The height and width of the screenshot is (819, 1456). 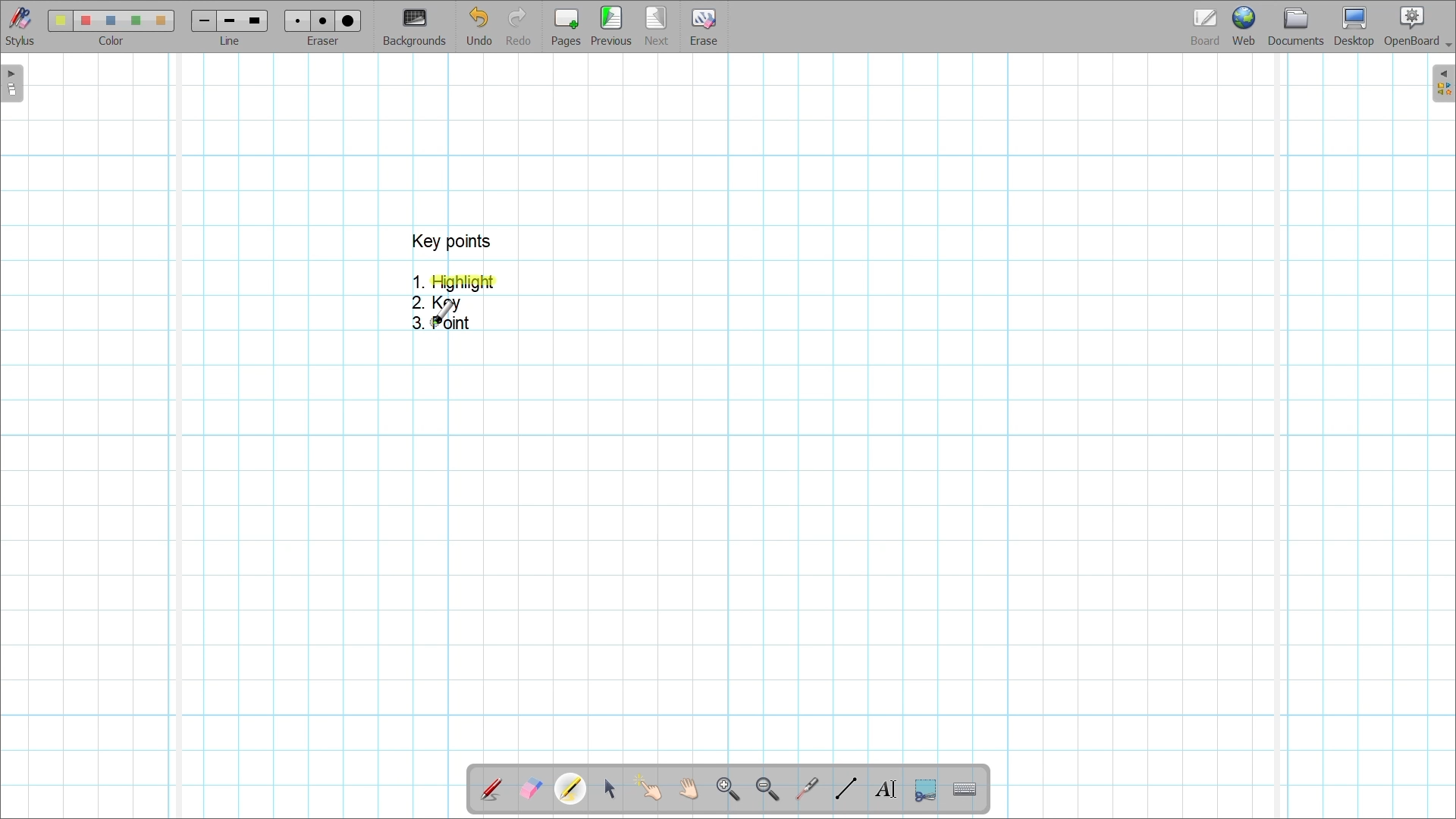 I want to click on Erase annotation, so click(x=532, y=789).